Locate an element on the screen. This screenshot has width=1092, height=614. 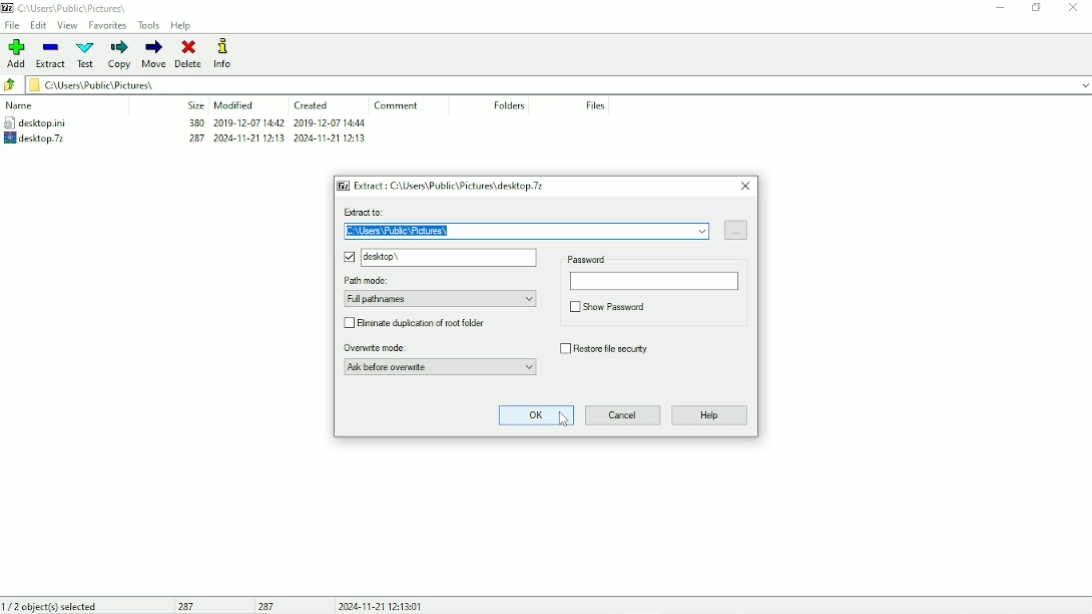
Cancel is located at coordinates (622, 416).